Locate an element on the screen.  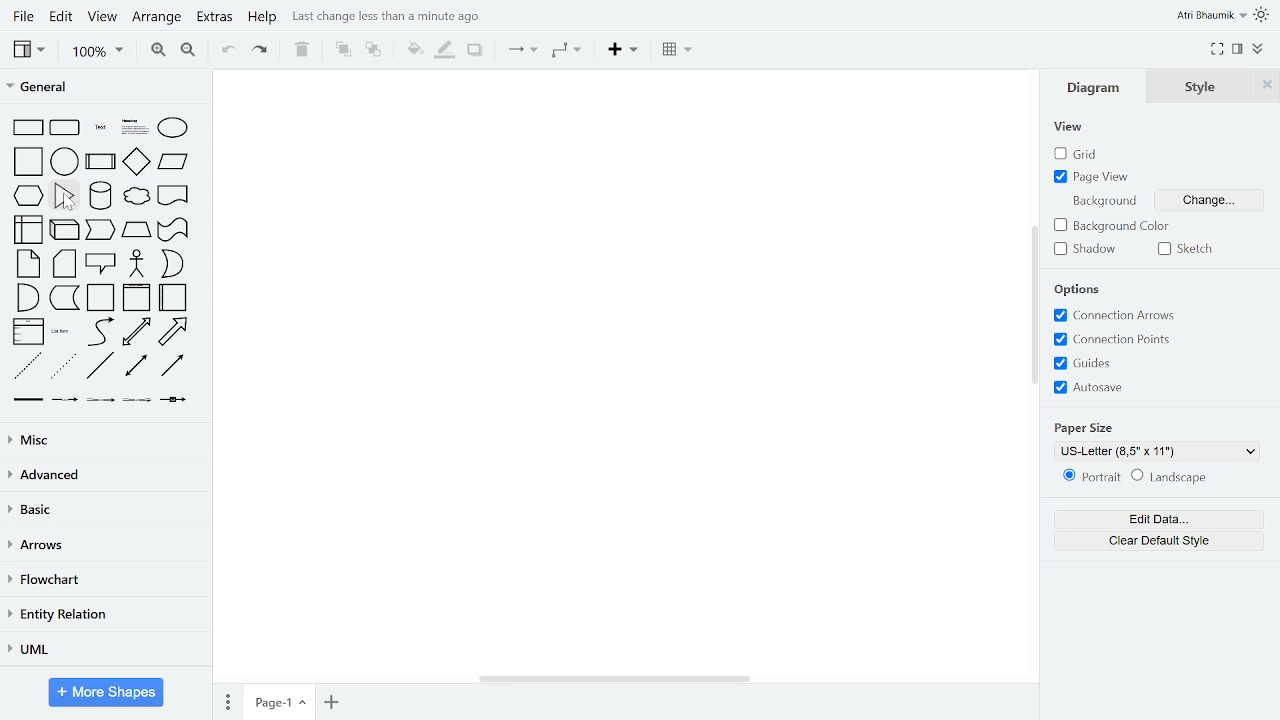
zoom out is located at coordinates (187, 51).